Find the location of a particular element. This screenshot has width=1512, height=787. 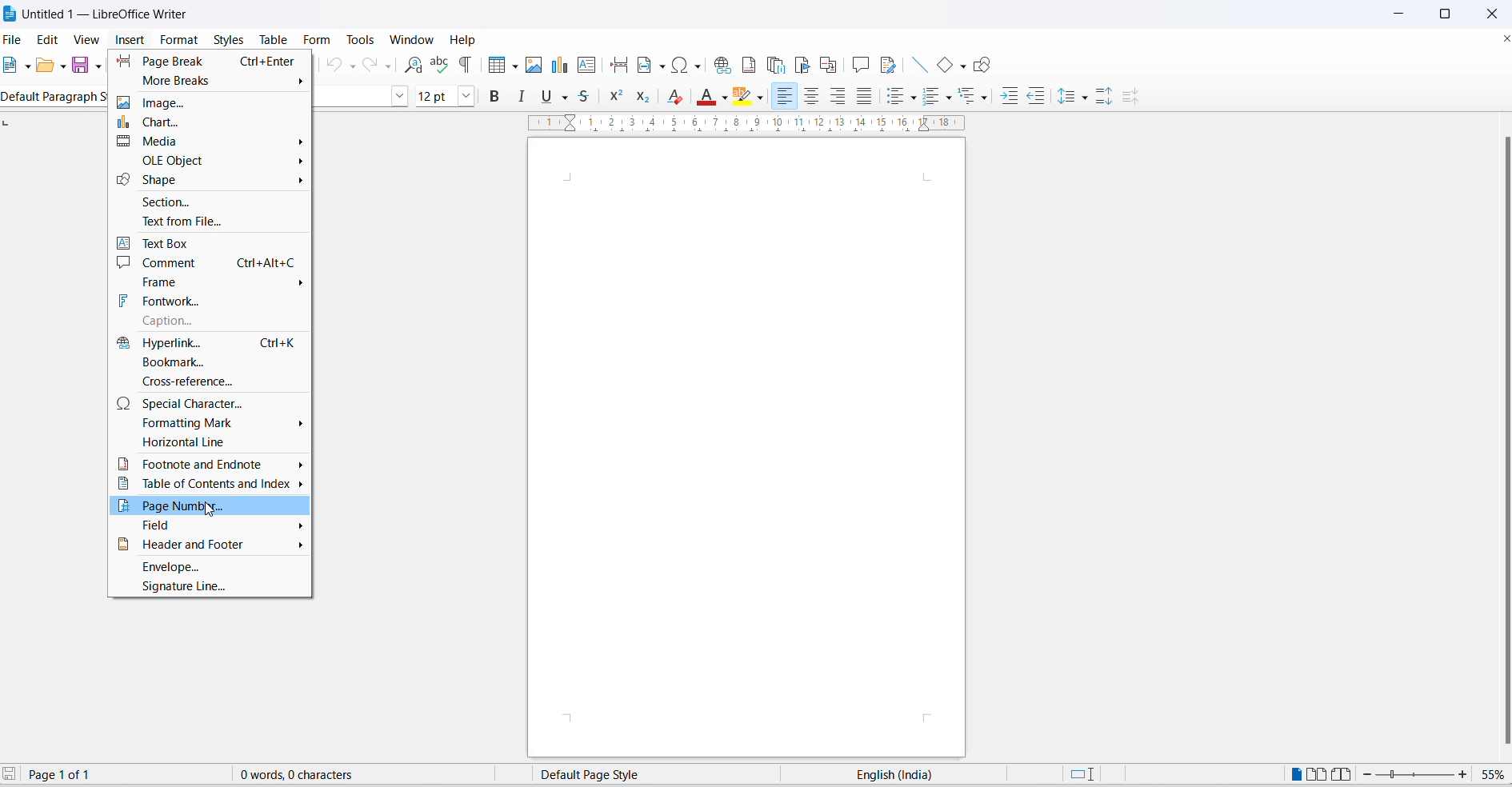

header and footer is located at coordinates (213, 545).